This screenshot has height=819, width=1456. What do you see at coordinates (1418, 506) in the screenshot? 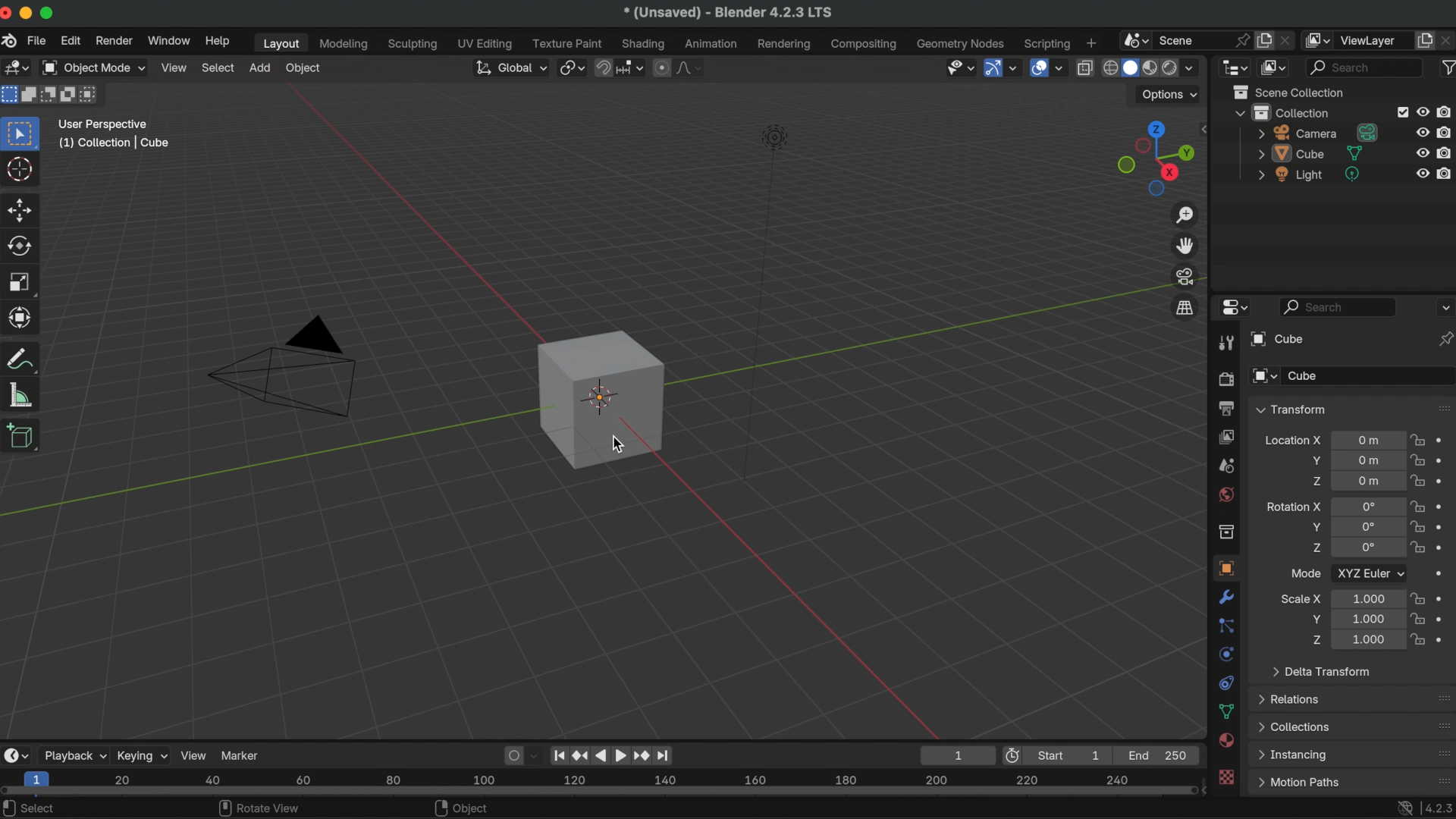
I see `lock rotation` at bounding box center [1418, 506].